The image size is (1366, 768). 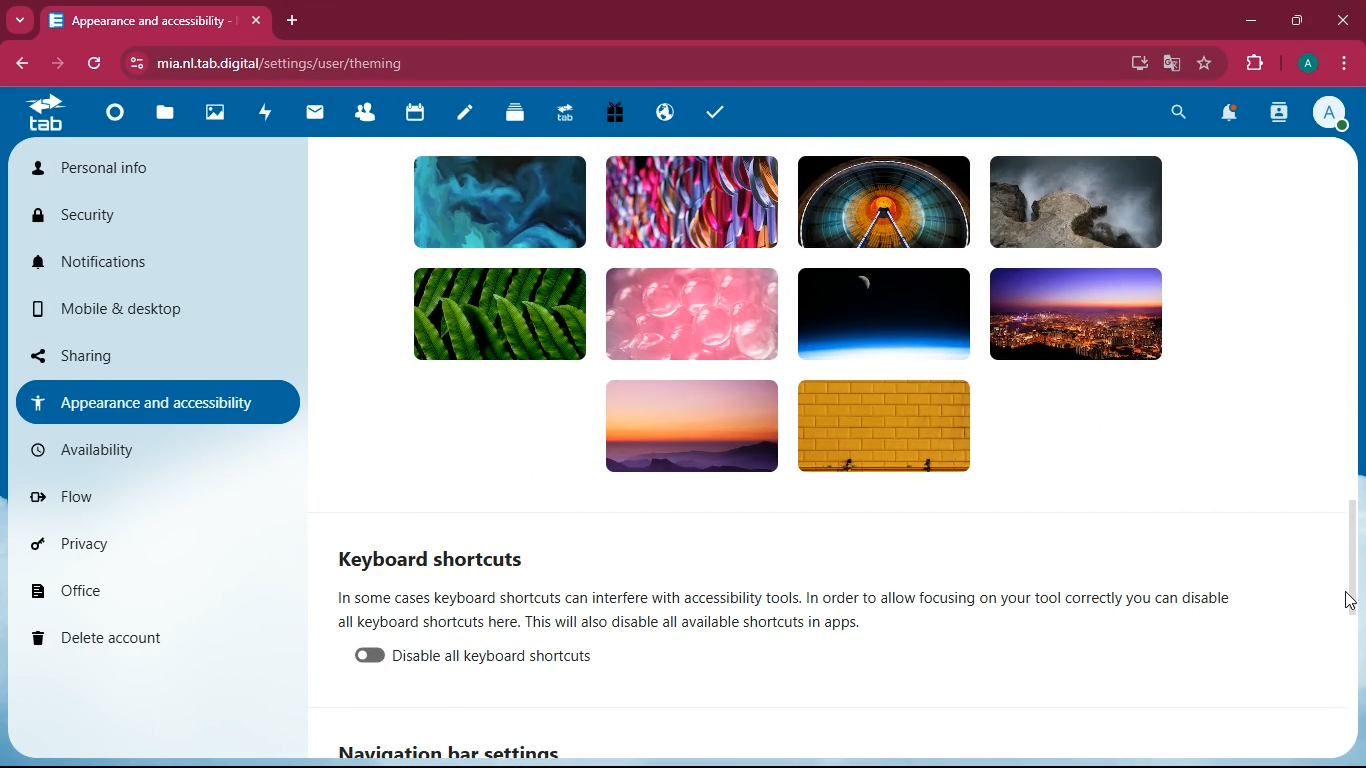 I want to click on enable, so click(x=373, y=658).